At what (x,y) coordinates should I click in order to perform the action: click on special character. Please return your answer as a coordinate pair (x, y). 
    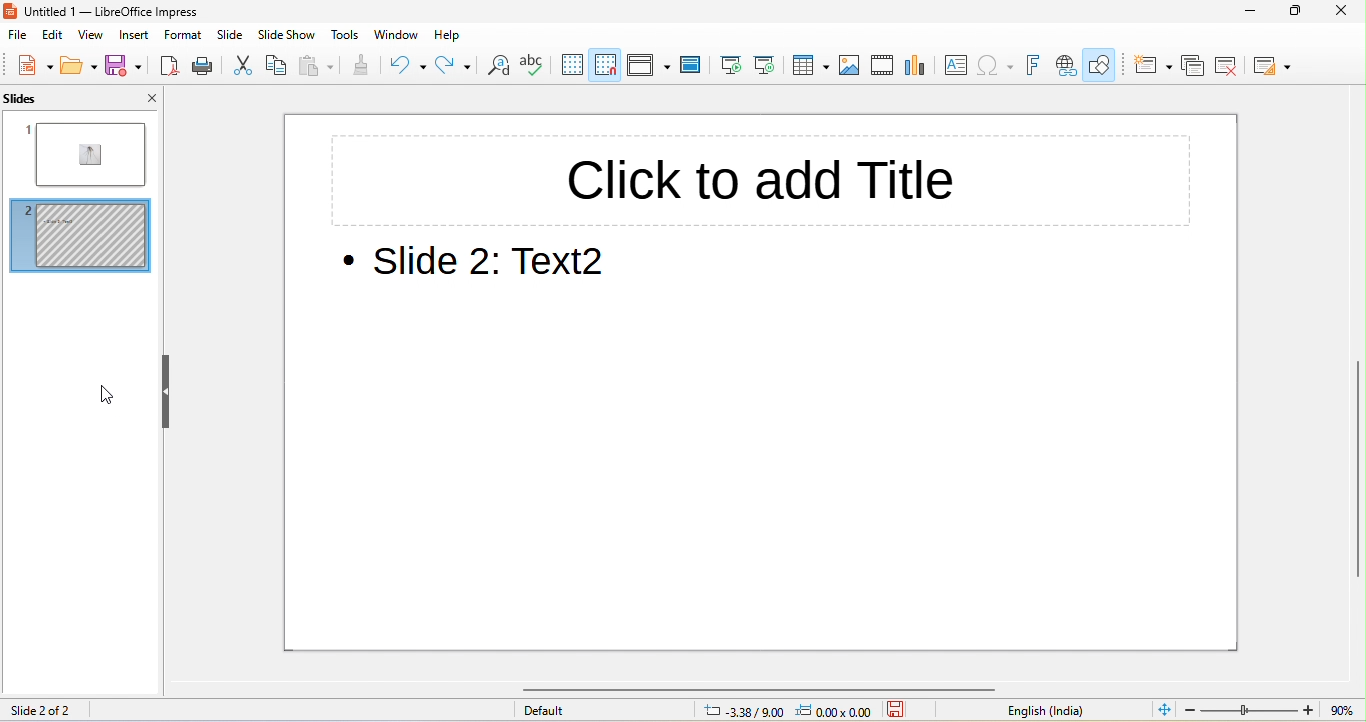
    Looking at the image, I should click on (997, 65).